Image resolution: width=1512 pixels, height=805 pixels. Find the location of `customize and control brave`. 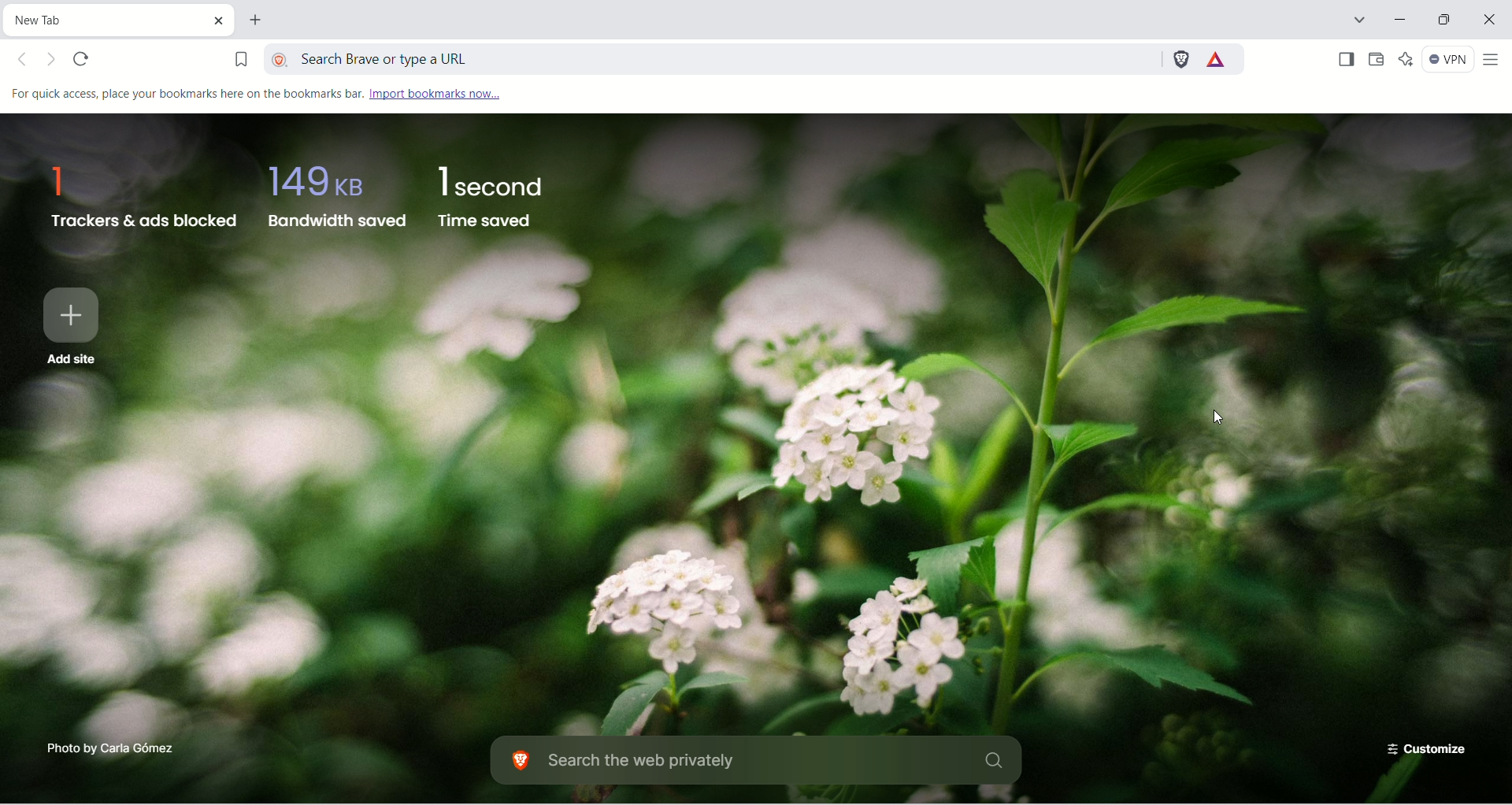

customize and control brave is located at coordinates (1497, 61).